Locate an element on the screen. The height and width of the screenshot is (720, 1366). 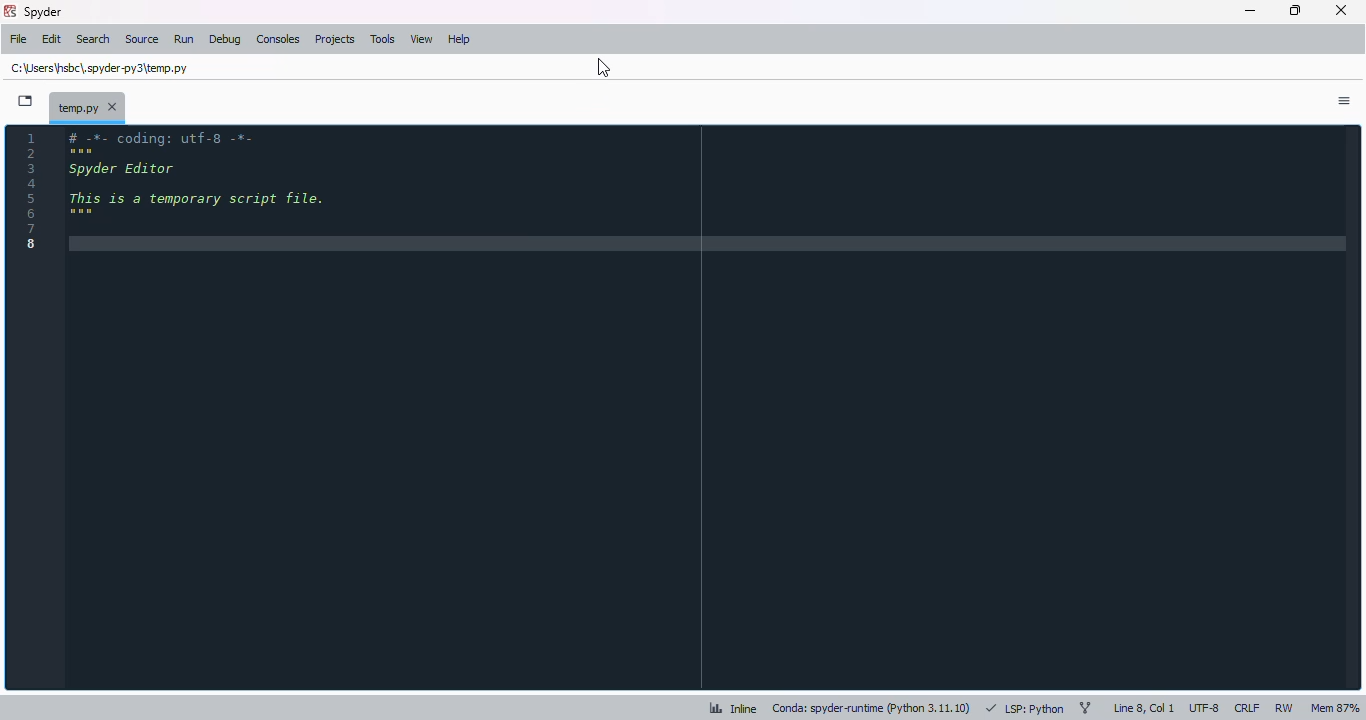
maximize is located at coordinates (1296, 10).